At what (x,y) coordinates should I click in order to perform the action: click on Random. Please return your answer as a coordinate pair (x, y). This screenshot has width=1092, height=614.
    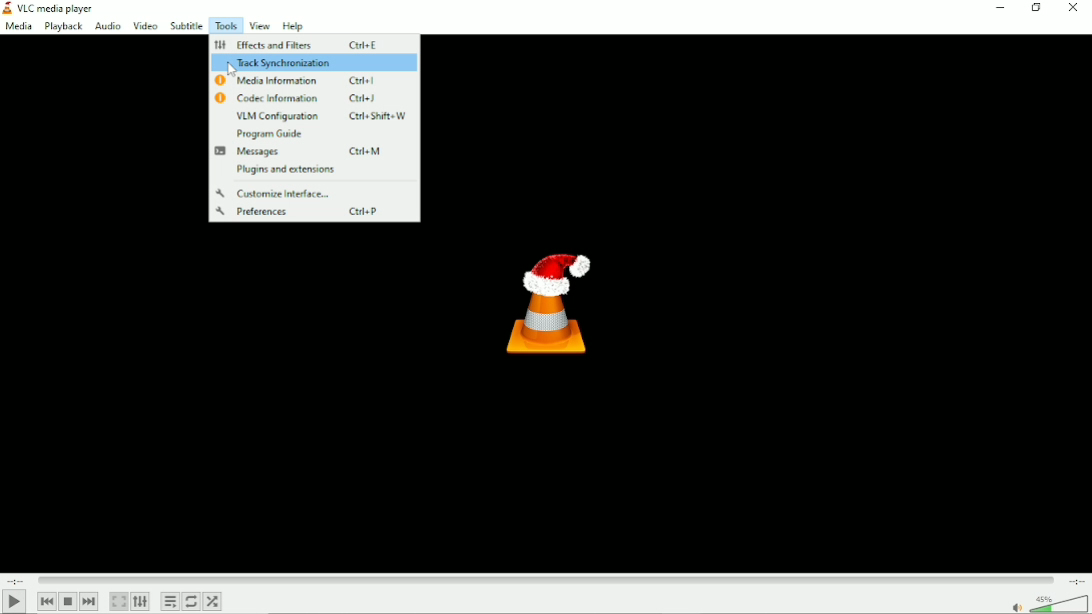
    Looking at the image, I should click on (213, 601).